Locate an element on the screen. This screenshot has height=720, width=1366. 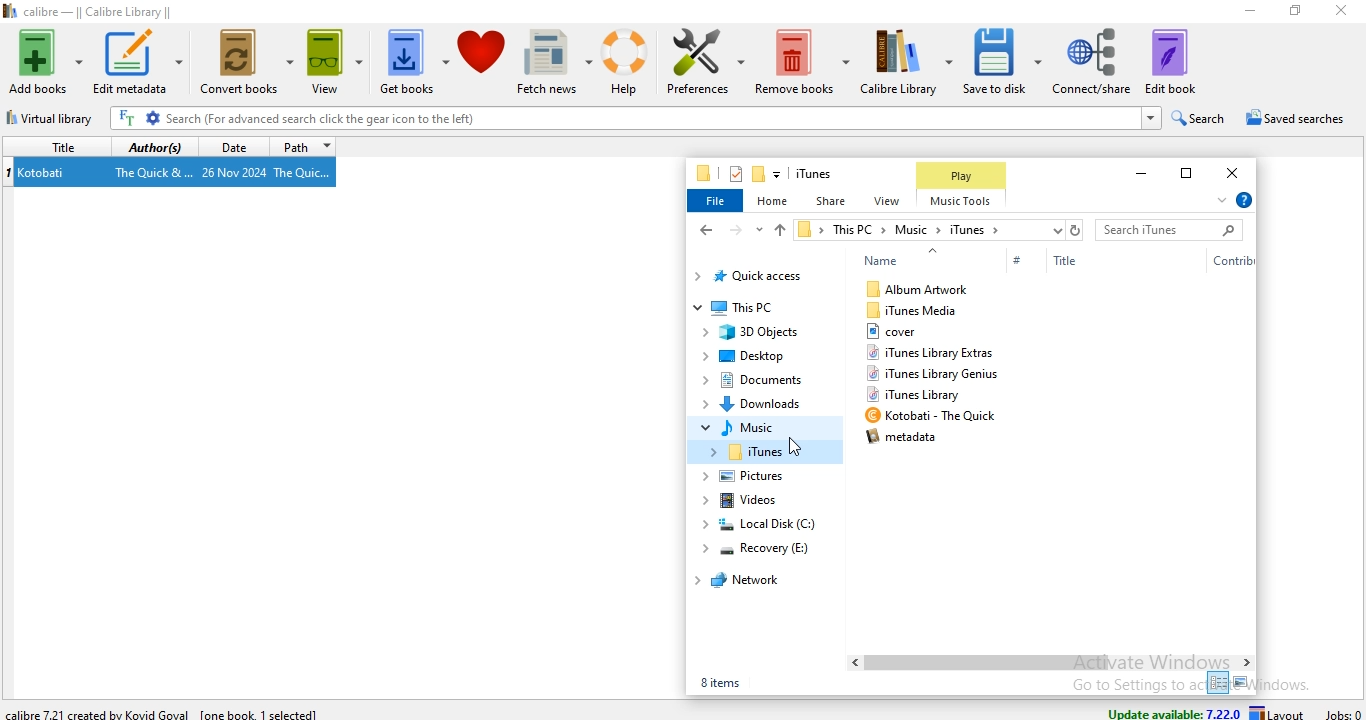
Name is located at coordinates (877, 261).